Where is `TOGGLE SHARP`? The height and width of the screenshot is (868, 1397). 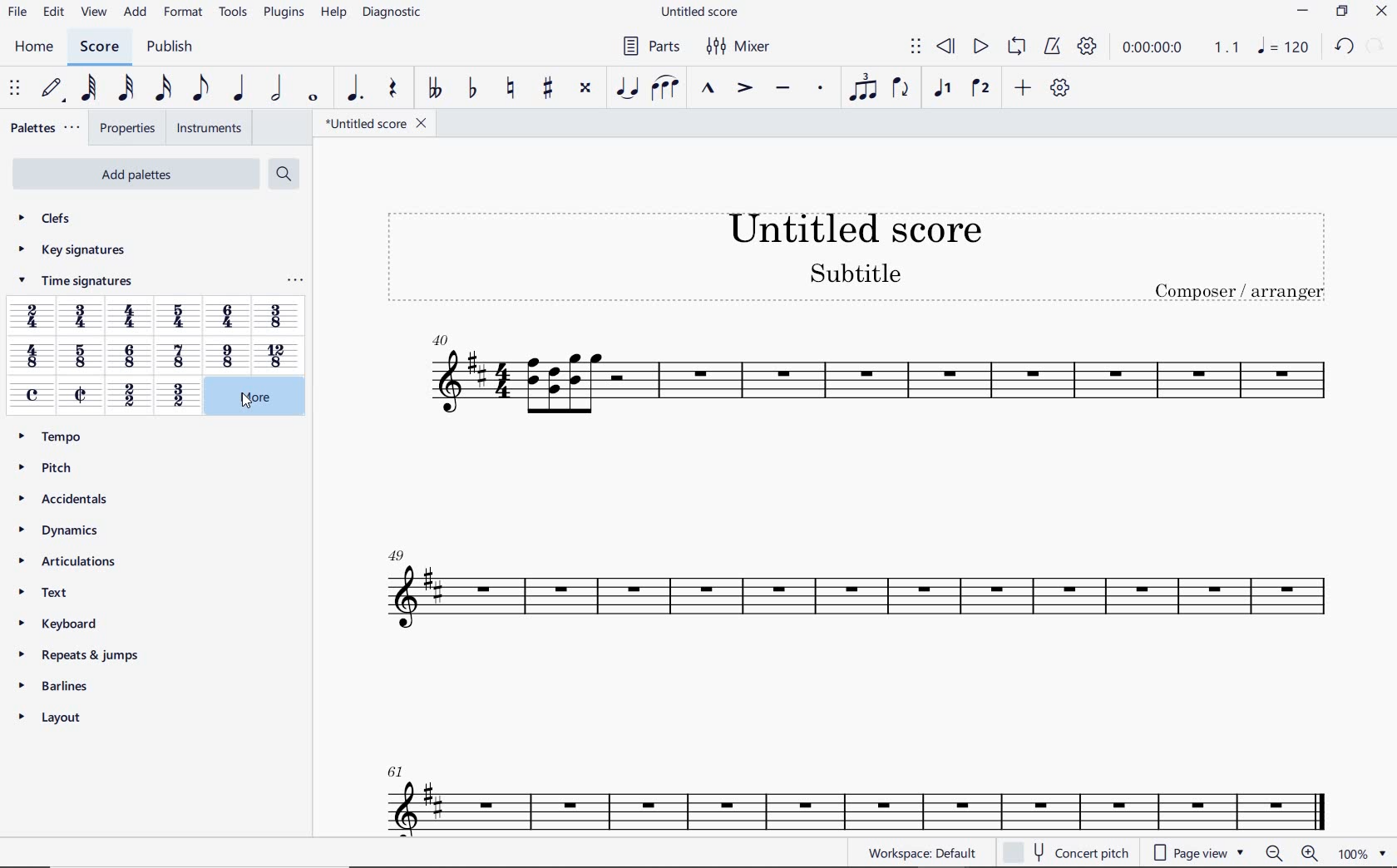
TOGGLE SHARP is located at coordinates (545, 90).